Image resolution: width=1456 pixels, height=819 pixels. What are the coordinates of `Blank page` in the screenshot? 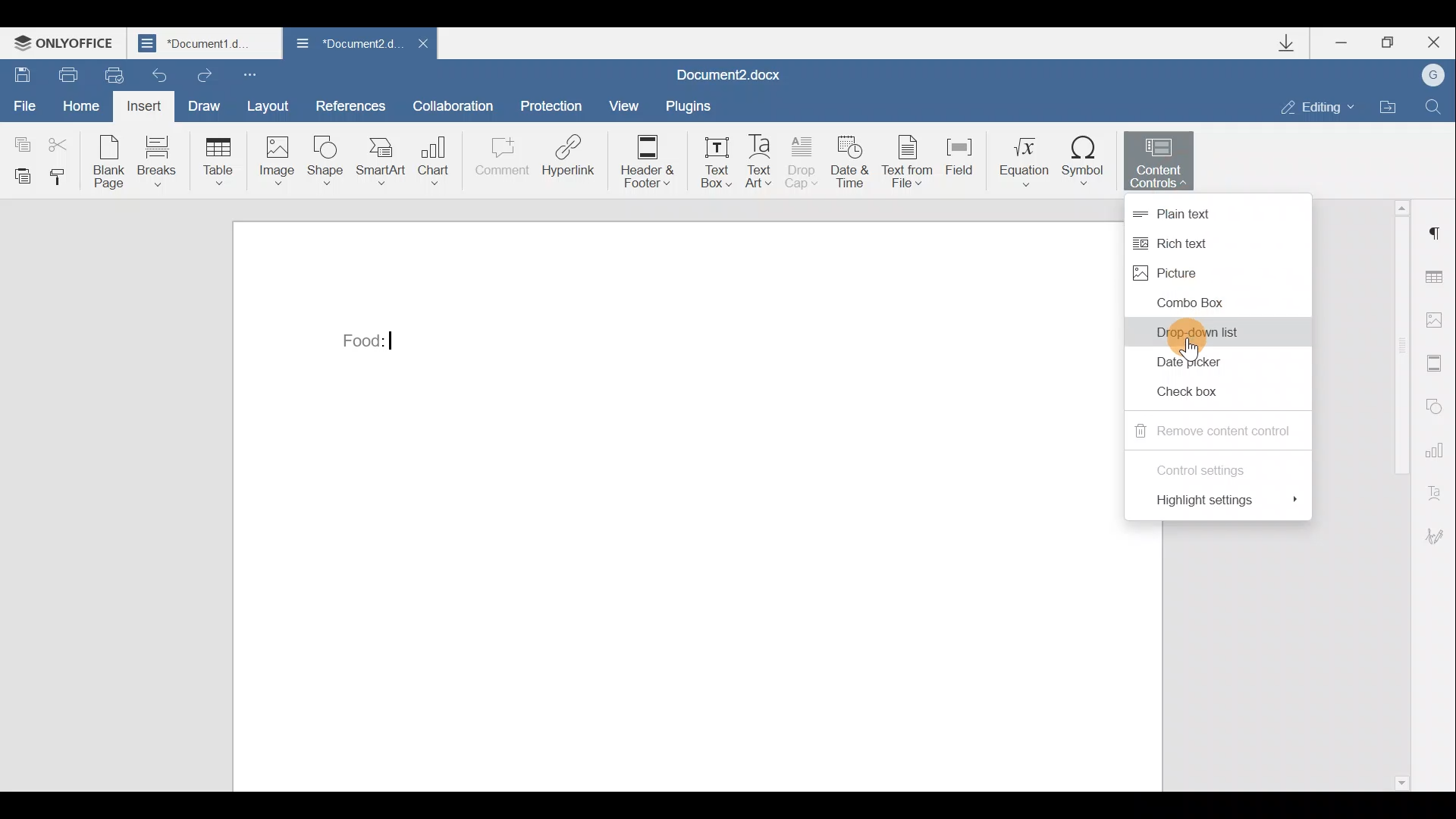 It's located at (108, 162).